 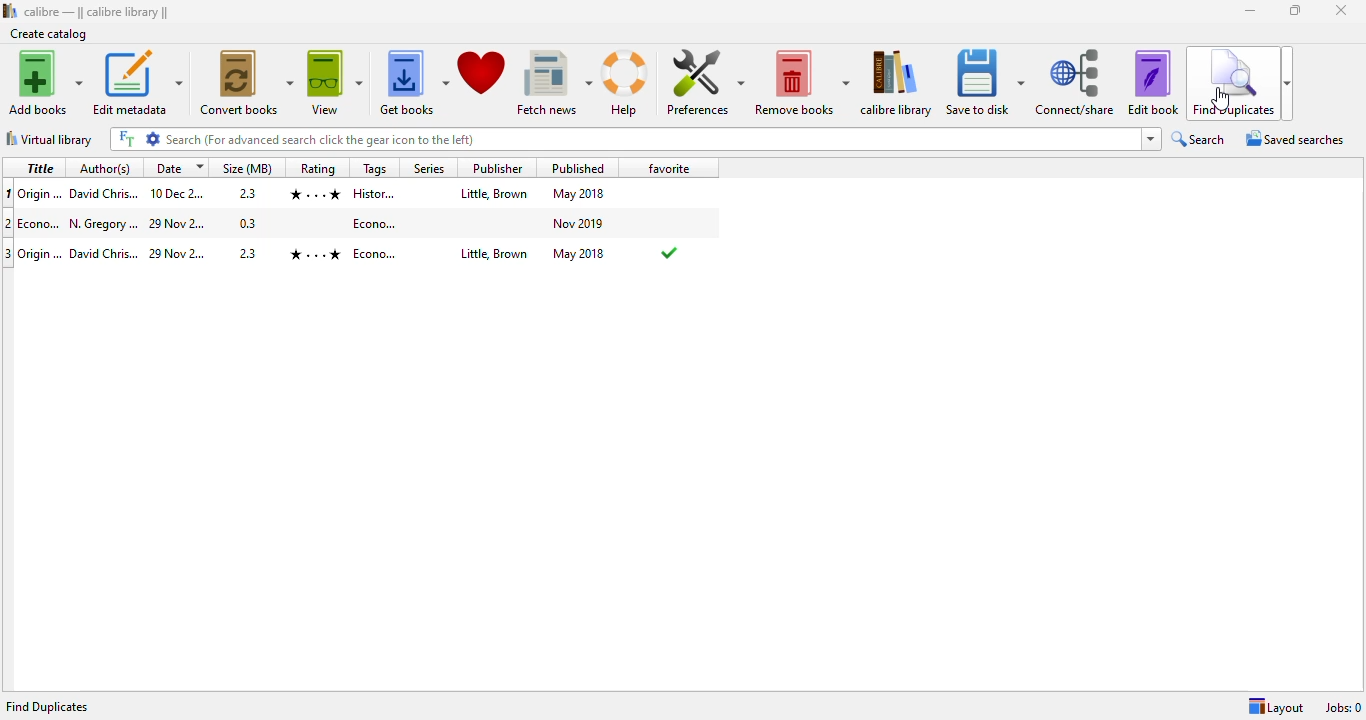 I want to click on published, so click(x=580, y=167).